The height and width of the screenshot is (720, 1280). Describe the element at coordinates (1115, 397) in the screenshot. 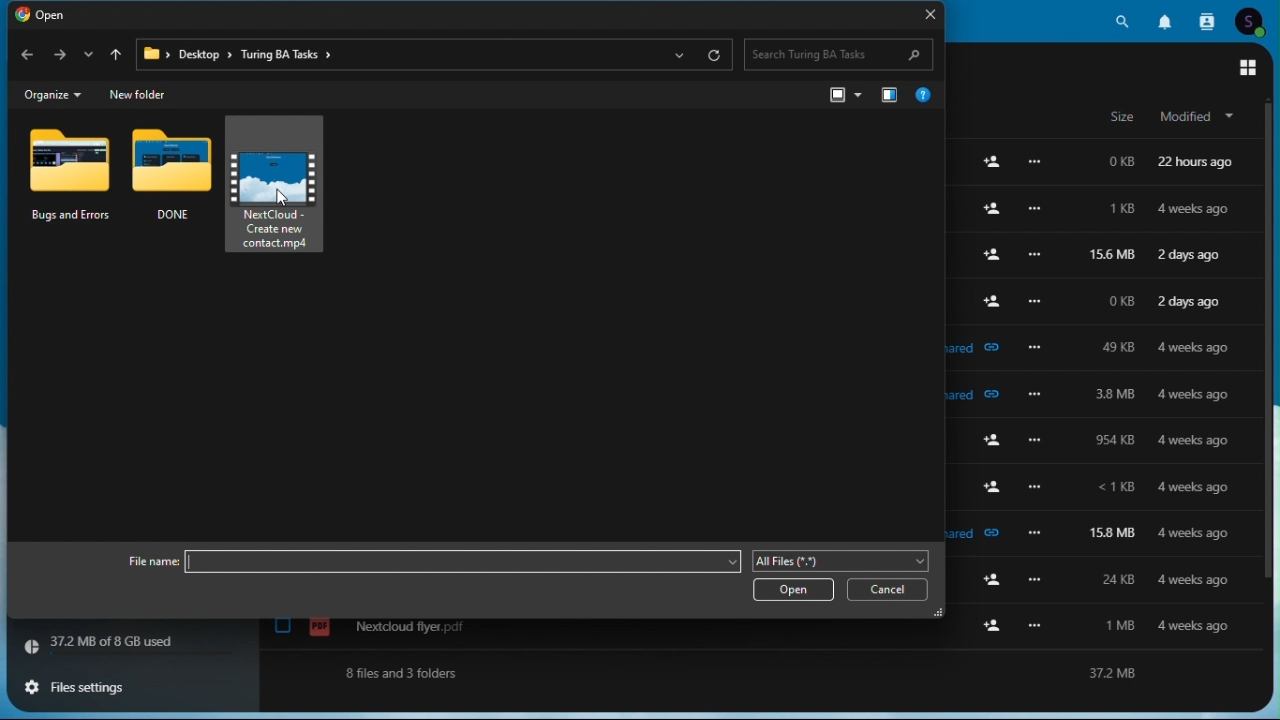

I see `3.8mb` at that location.